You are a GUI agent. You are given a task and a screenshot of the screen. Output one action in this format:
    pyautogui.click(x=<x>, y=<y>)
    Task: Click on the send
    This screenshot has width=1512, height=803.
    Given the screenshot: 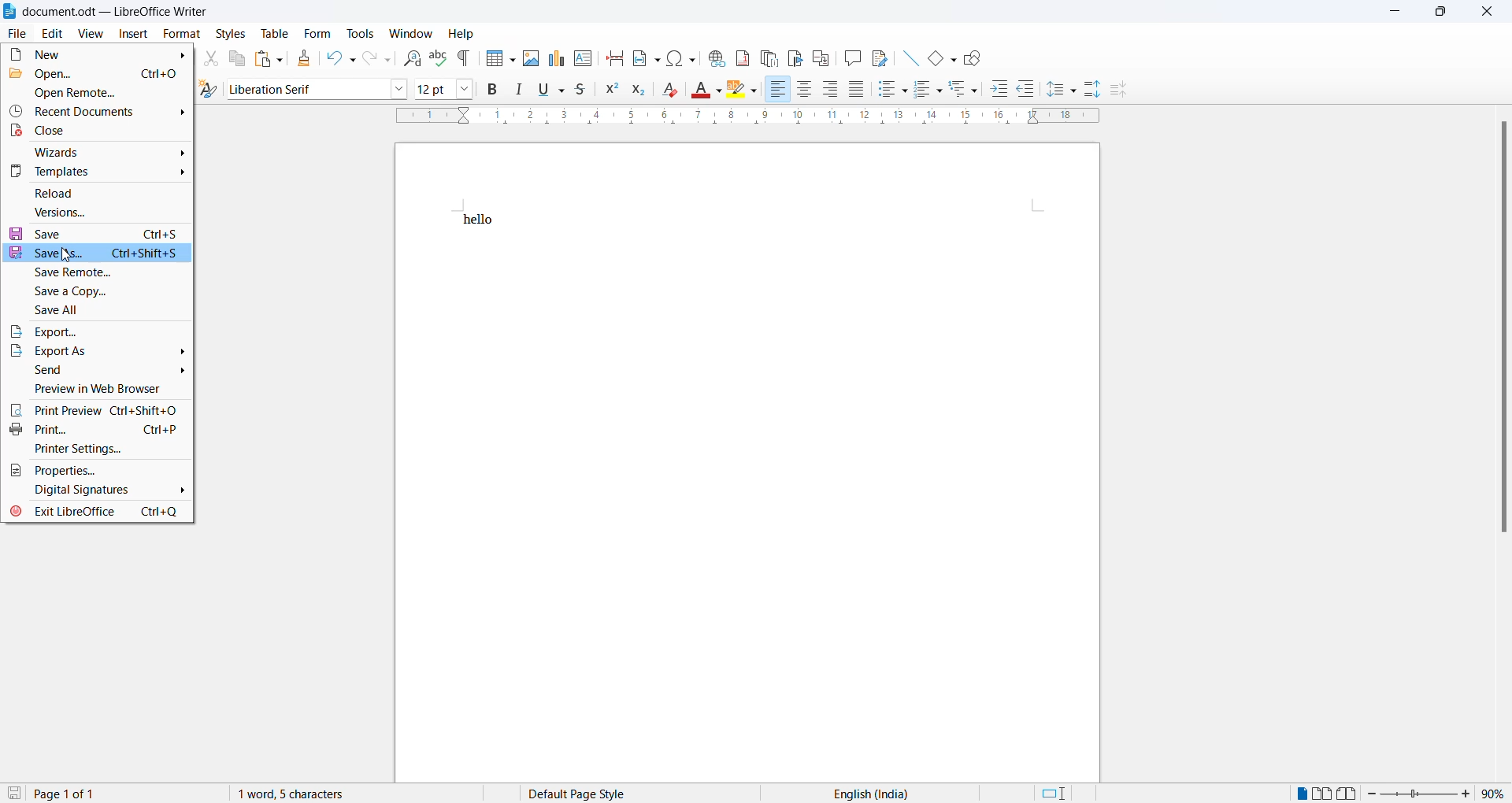 What is the action you would take?
    pyautogui.click(x=100, y=373)
    